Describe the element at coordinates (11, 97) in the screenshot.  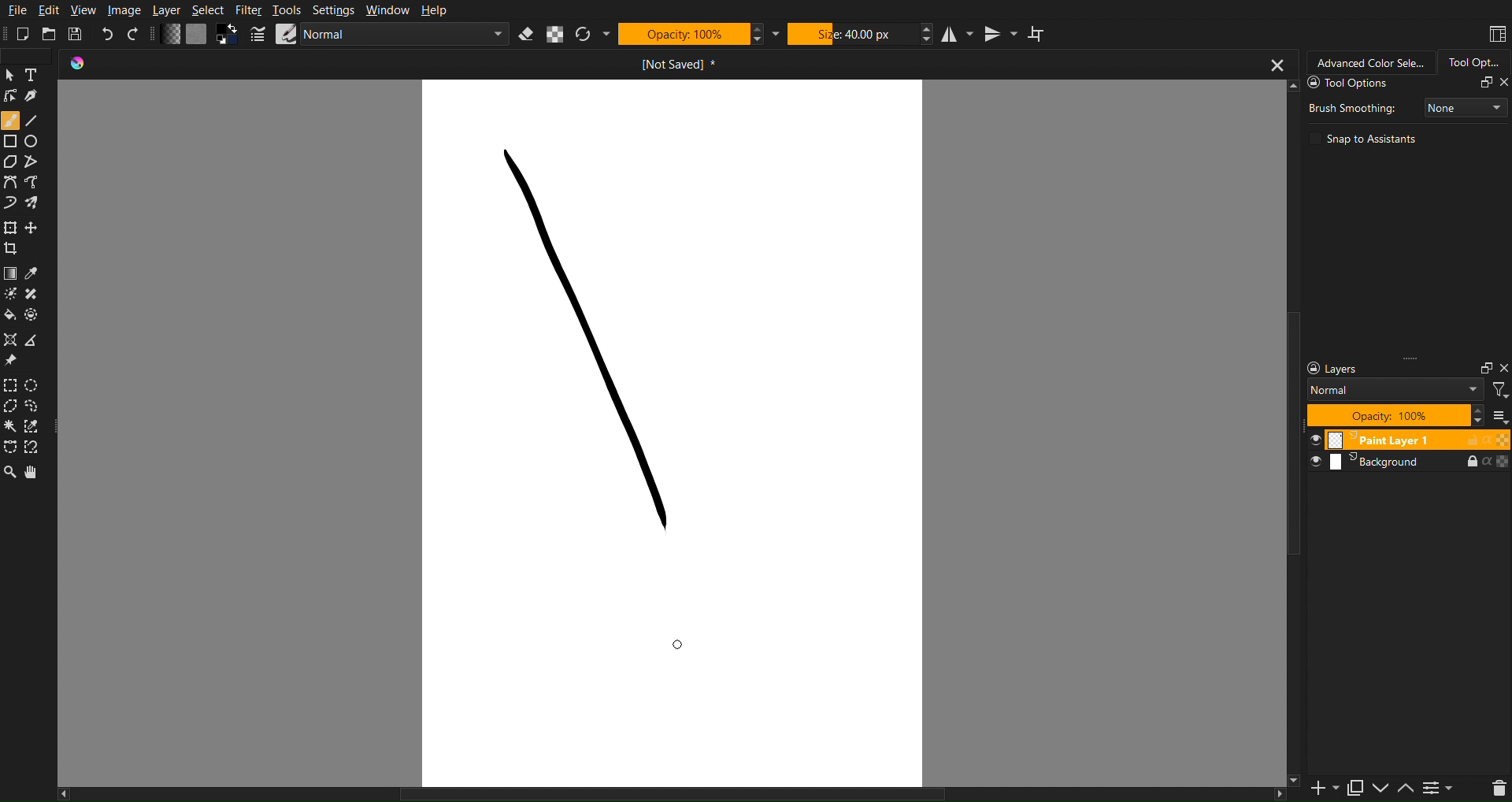
I see `Linework` at that location.